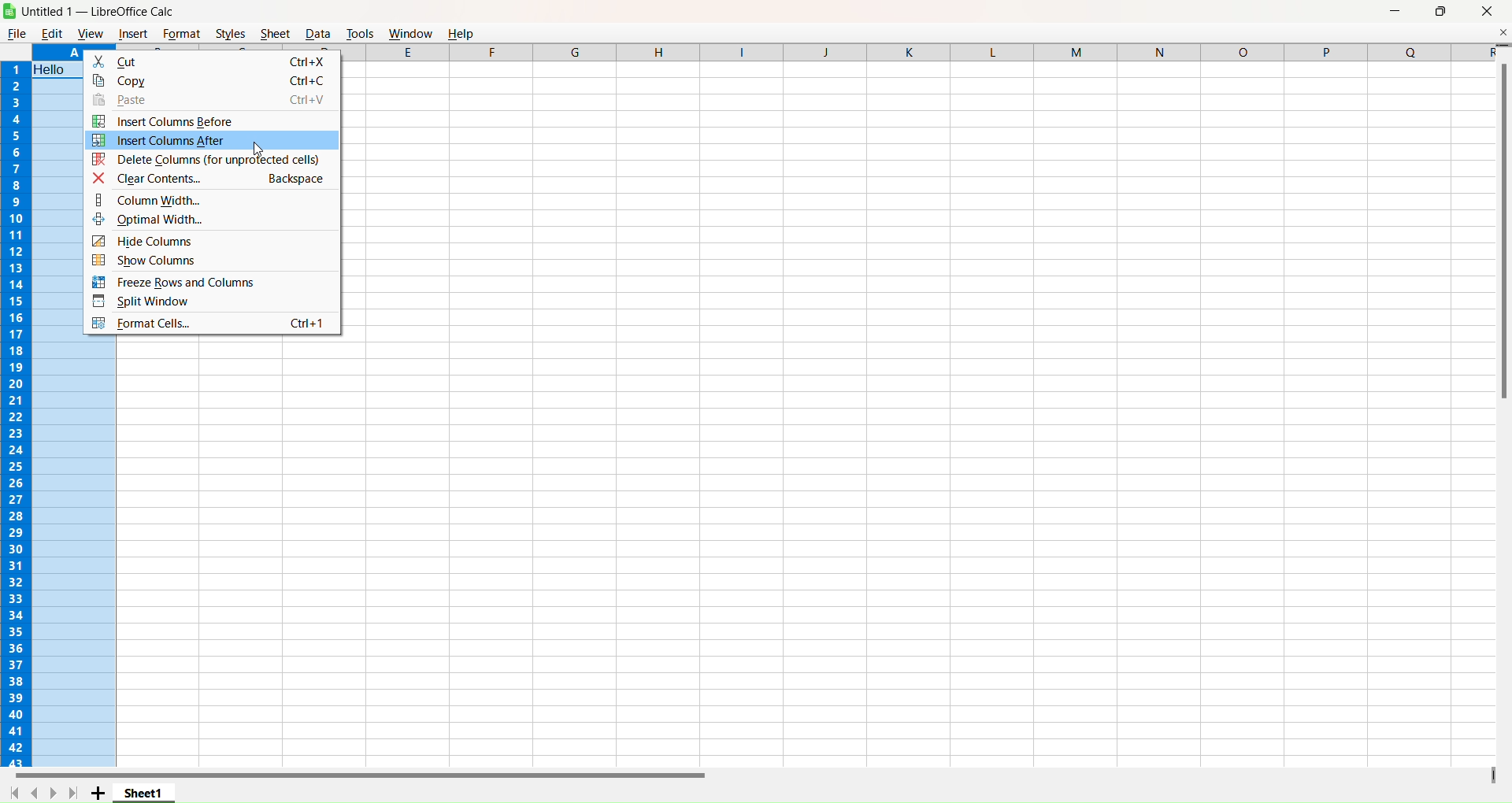 Image resolution: width=1512 pixels, height=803 pixels. Describe the element at coordinates (210, 160) in the screenshot. I see `Delete Columns (for unprotected cells)` at that location.